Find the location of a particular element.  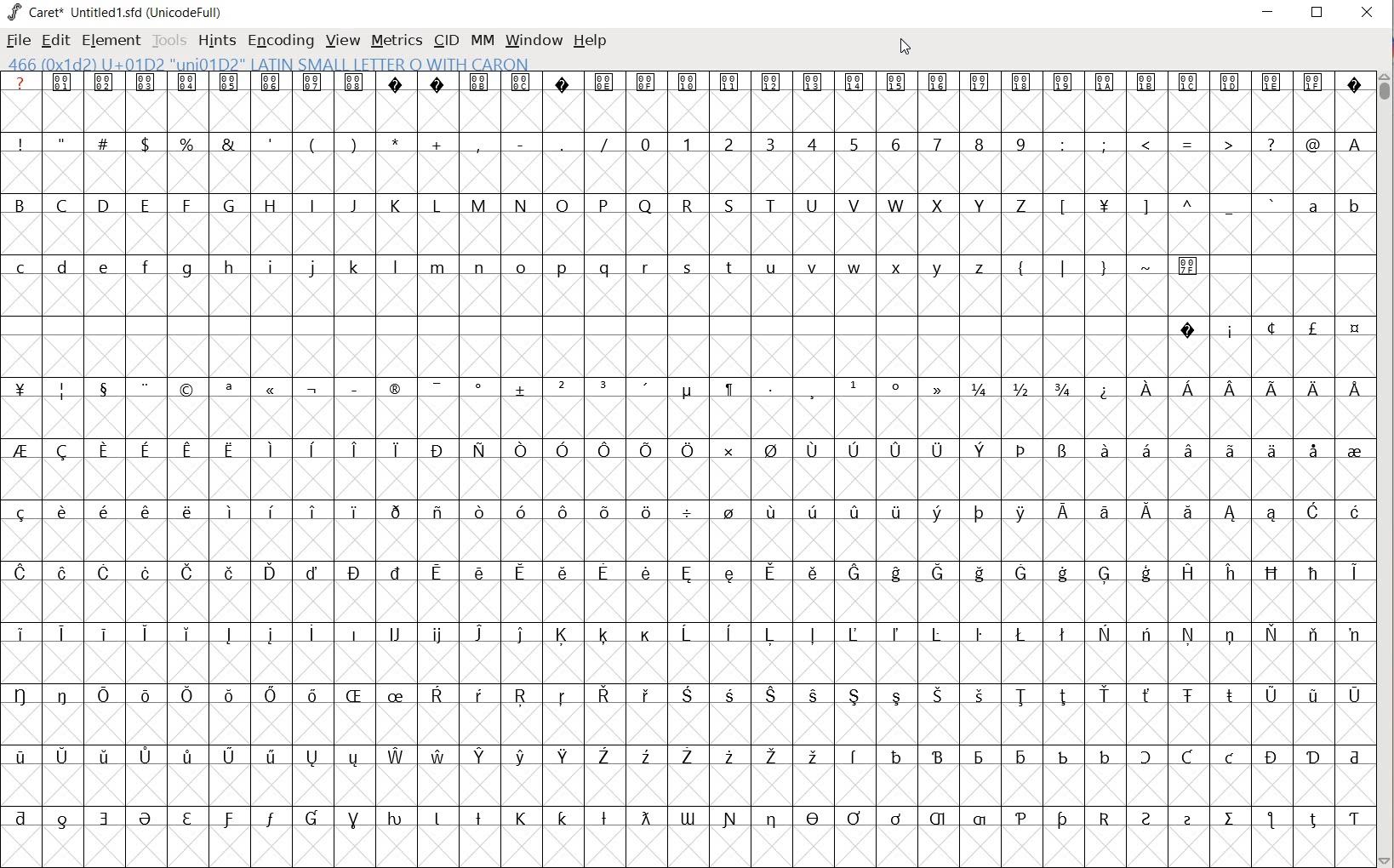

TOOLS is located at coordinates (169, 40).